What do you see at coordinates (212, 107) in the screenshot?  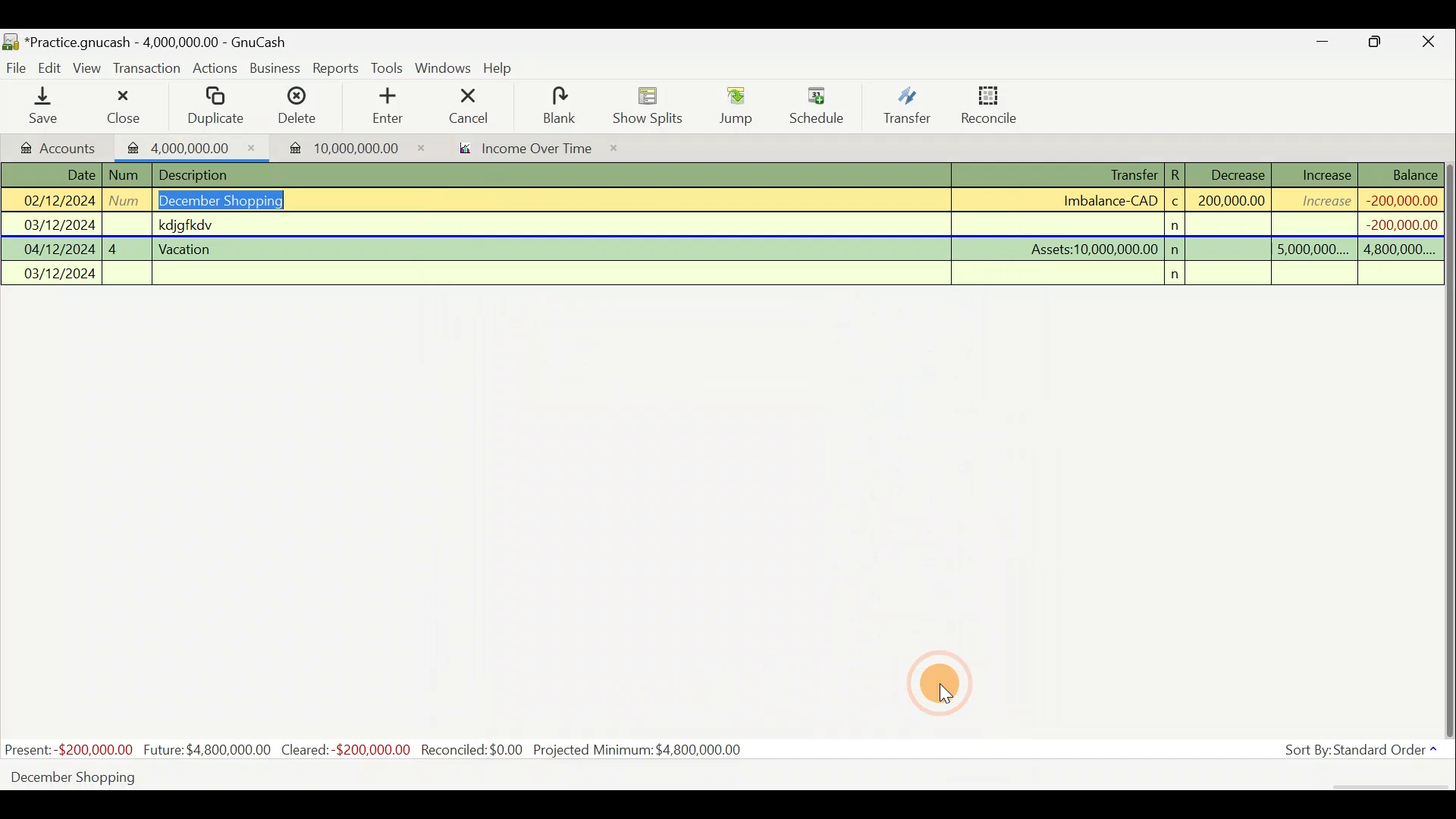 I see `Duplicate` at bounding box center [212, 107].